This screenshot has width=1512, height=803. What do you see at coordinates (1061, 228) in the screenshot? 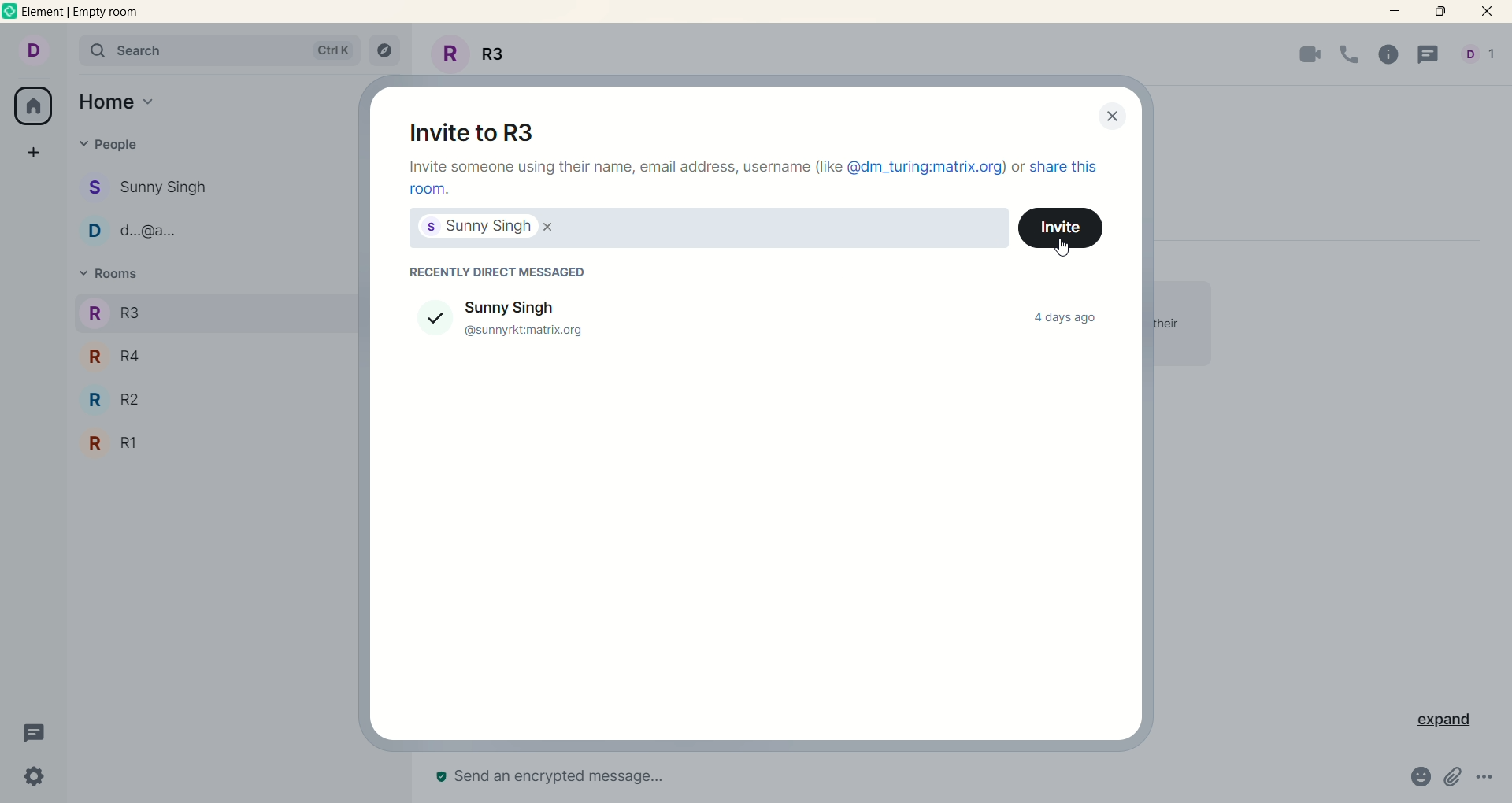
I see `invite` at bounding box center [1061, 228].